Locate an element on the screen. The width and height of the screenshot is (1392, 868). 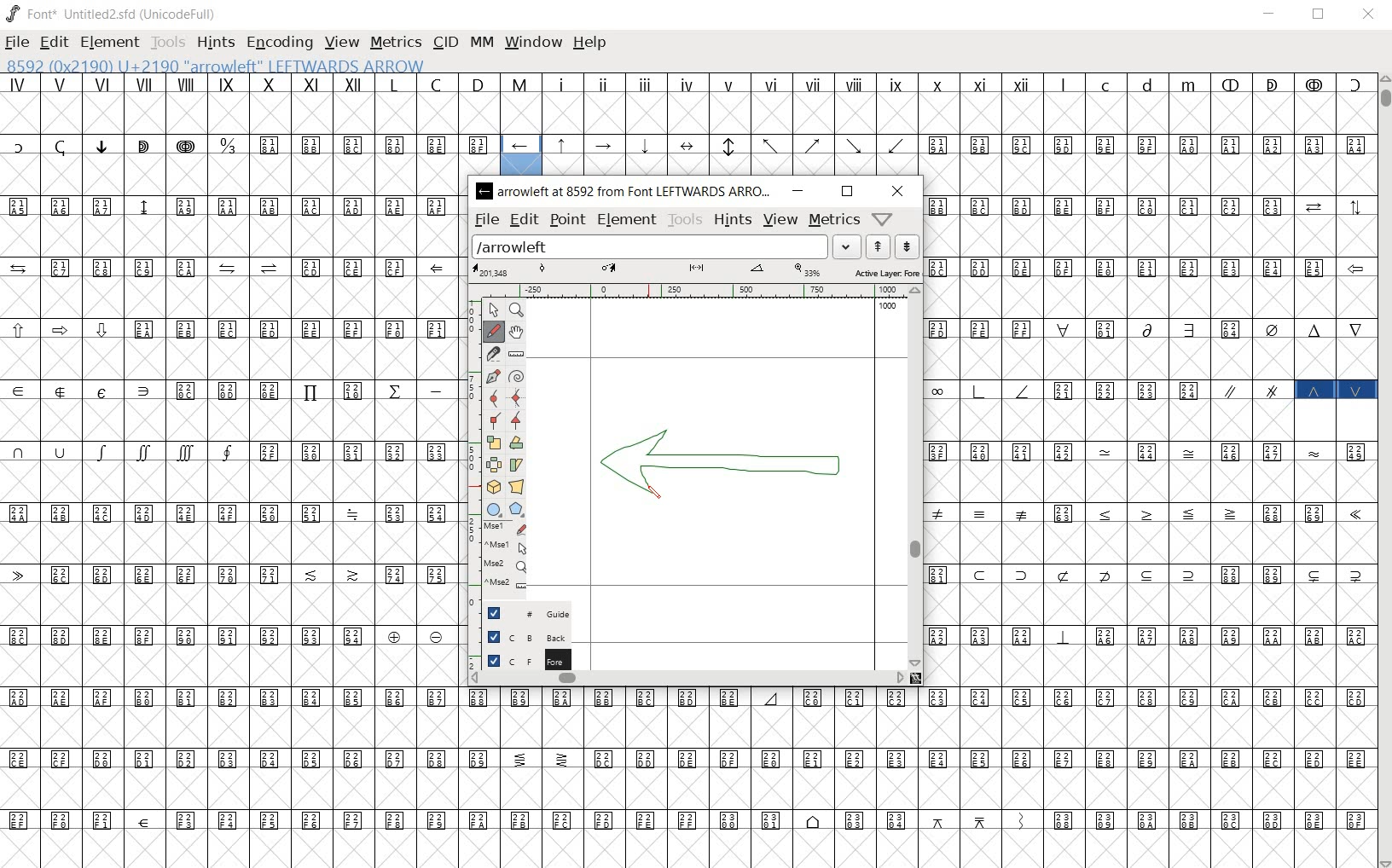
help is located at coordinates (590, 43).